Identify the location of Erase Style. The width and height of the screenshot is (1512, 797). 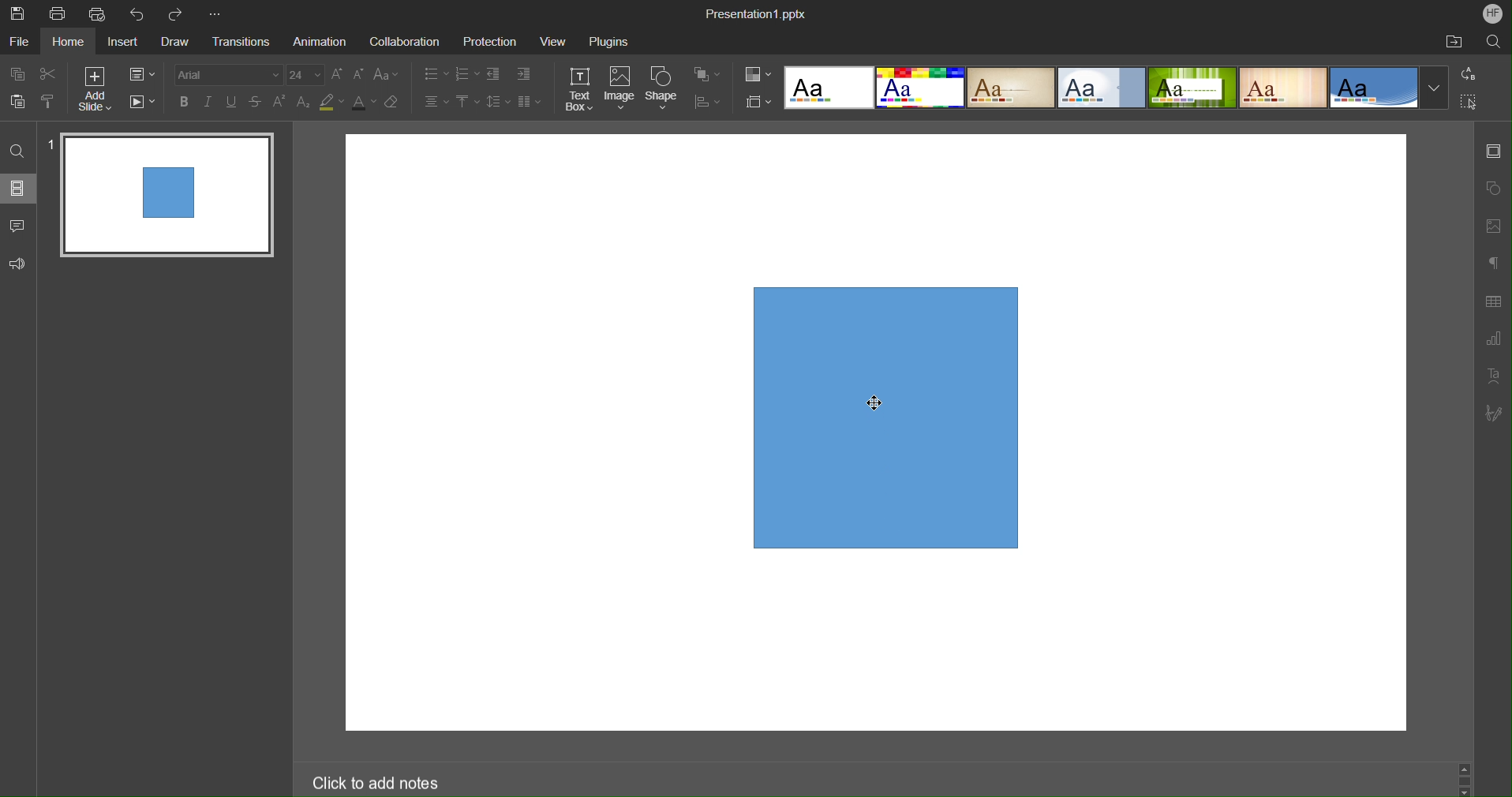
(394, 103).